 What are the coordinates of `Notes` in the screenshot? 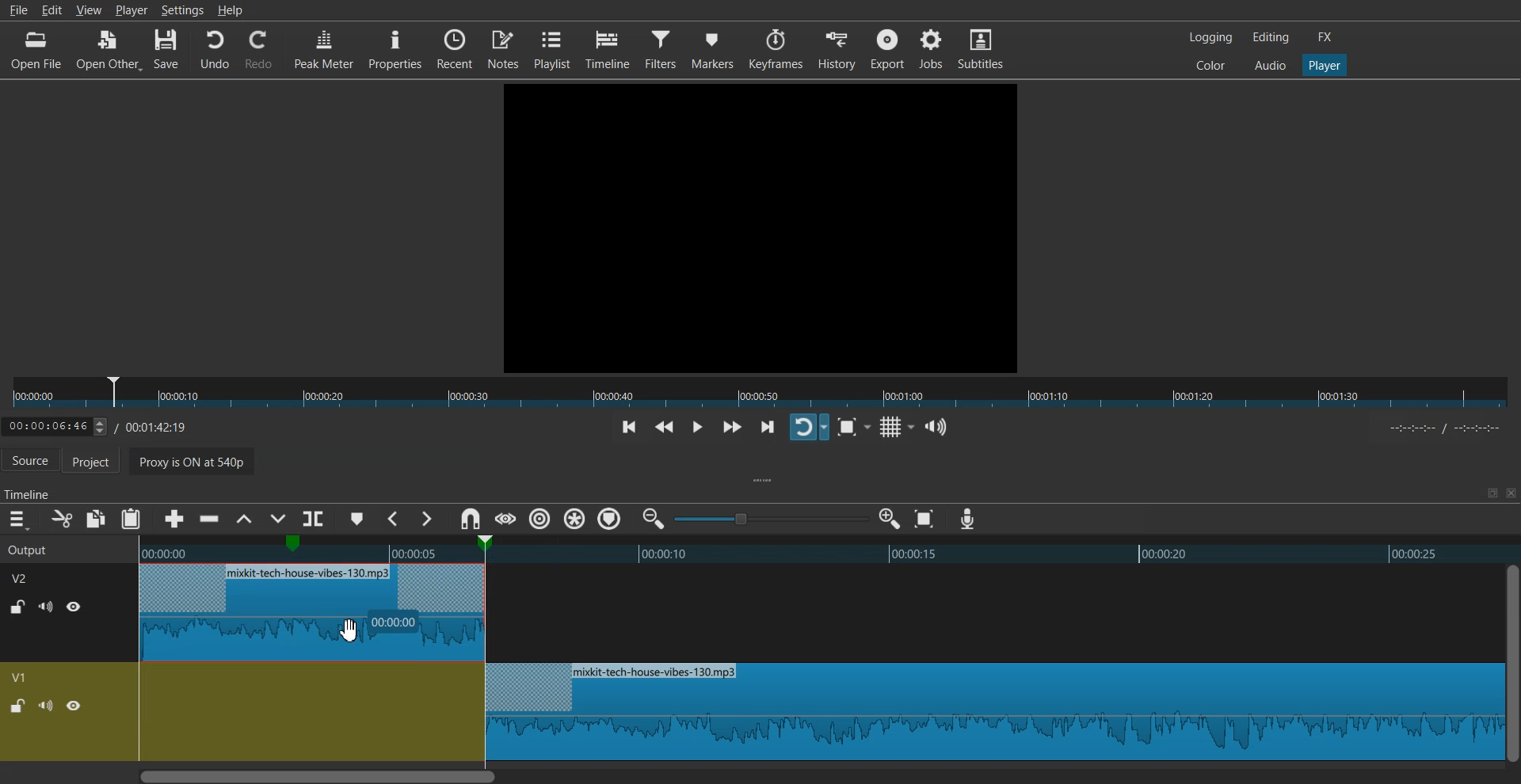 It's located at (505, 48).